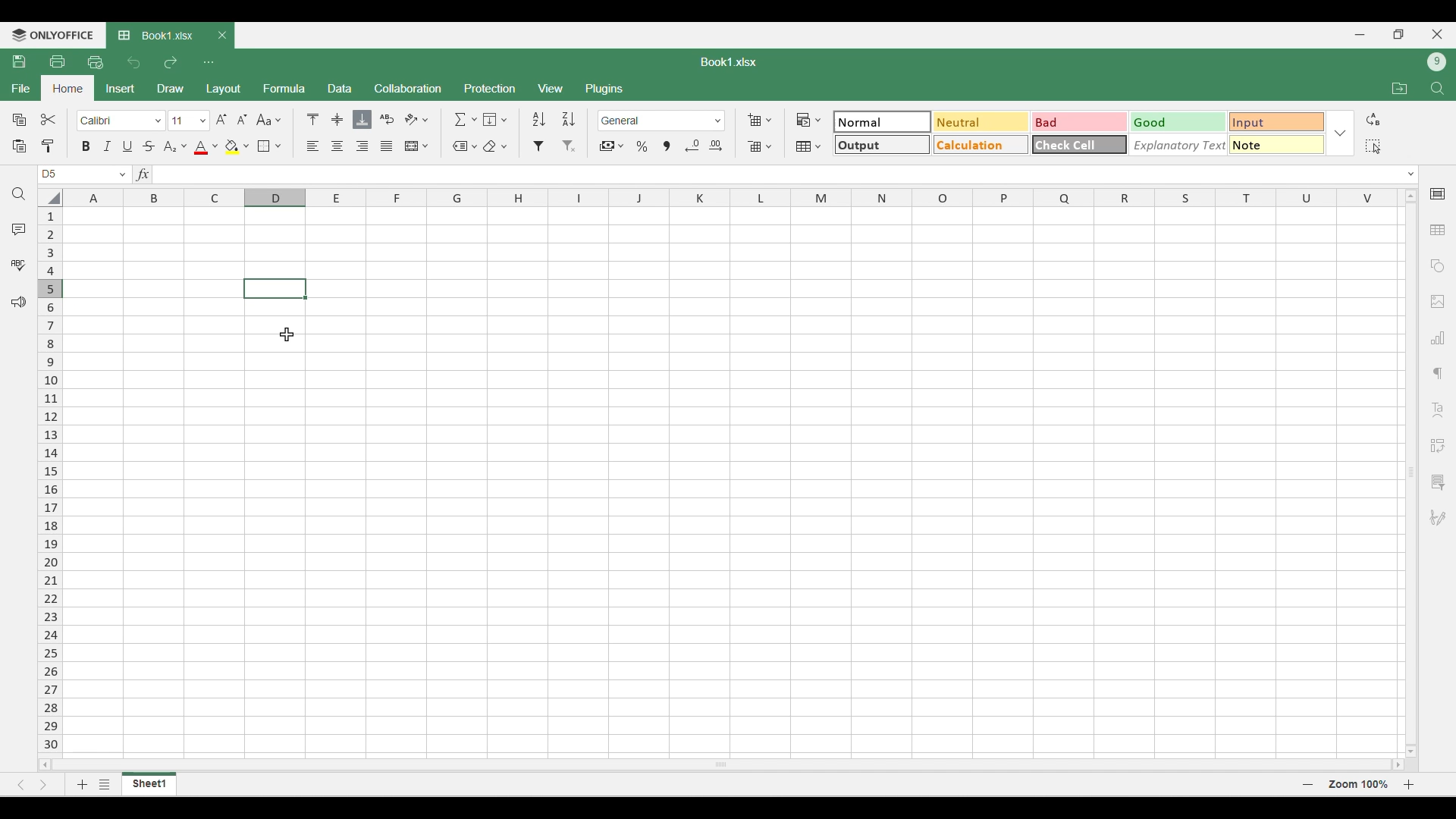  I want to click on Draw menu, so click(171, 88).